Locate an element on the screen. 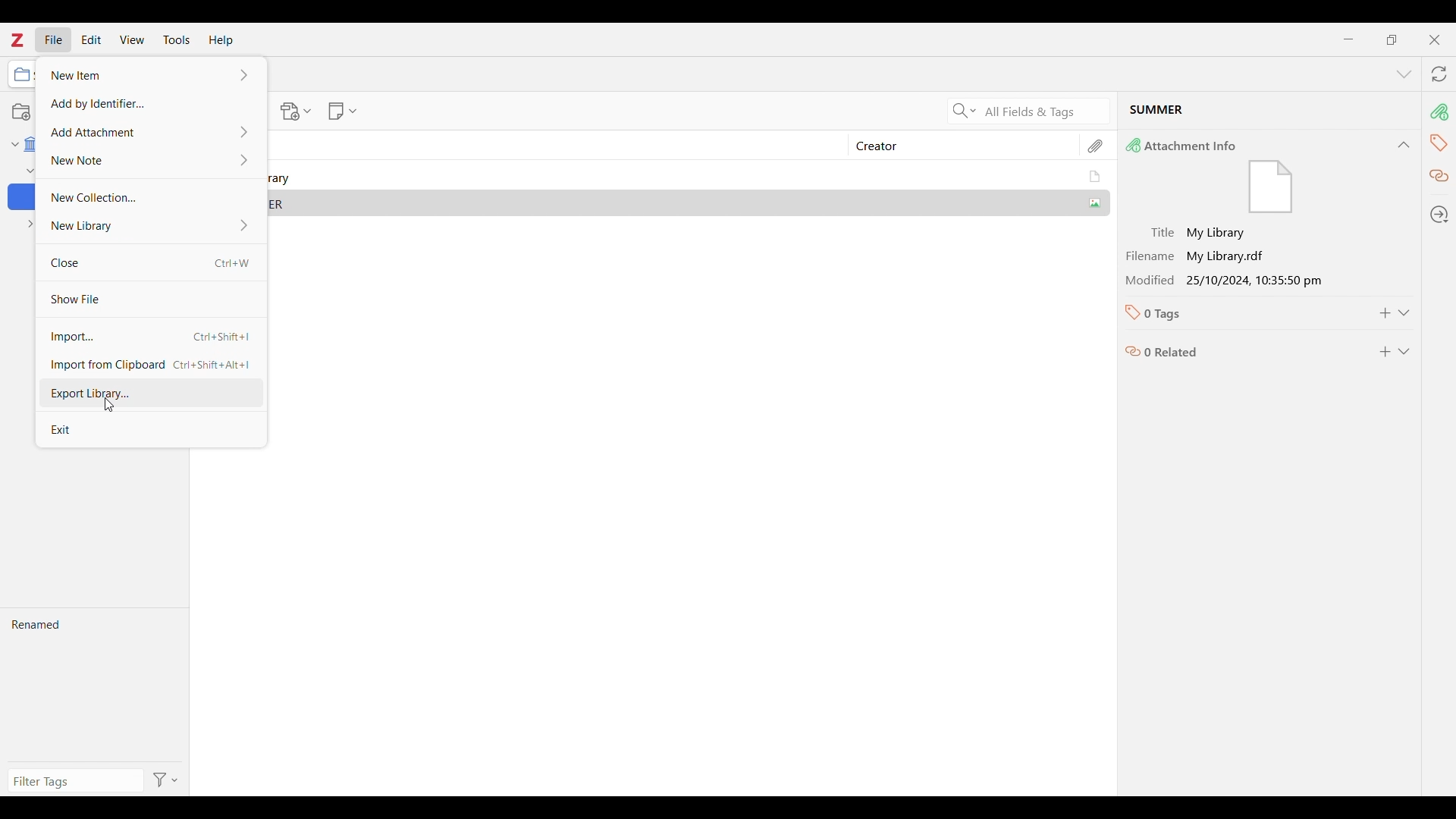 Image resolution: width=1456 pixels, height=819 pixels. Summer is located at coordinates (689, 202).